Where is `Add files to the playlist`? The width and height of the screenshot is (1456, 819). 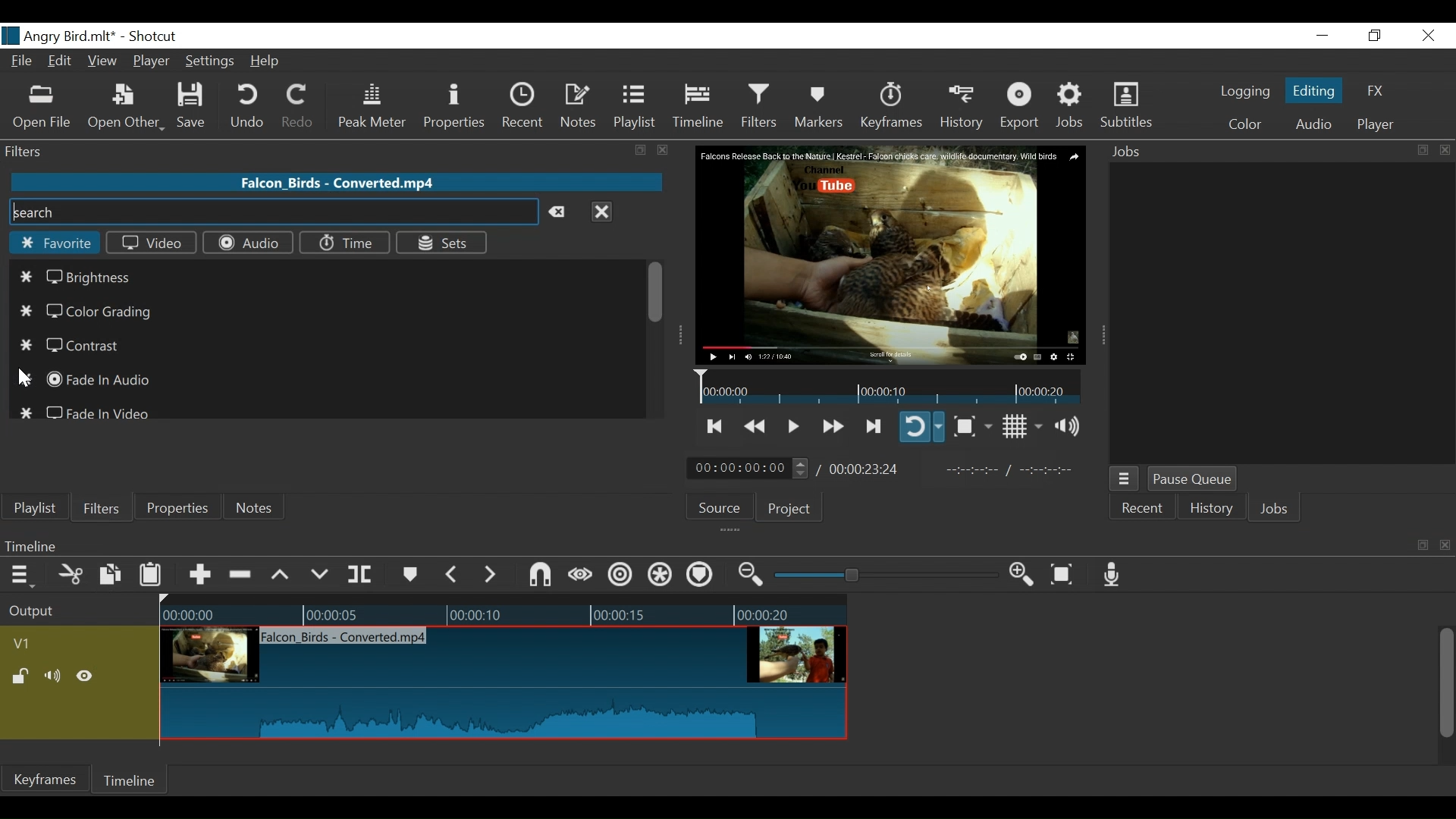 Add files to the playlist is located at coordinates (152, 469).